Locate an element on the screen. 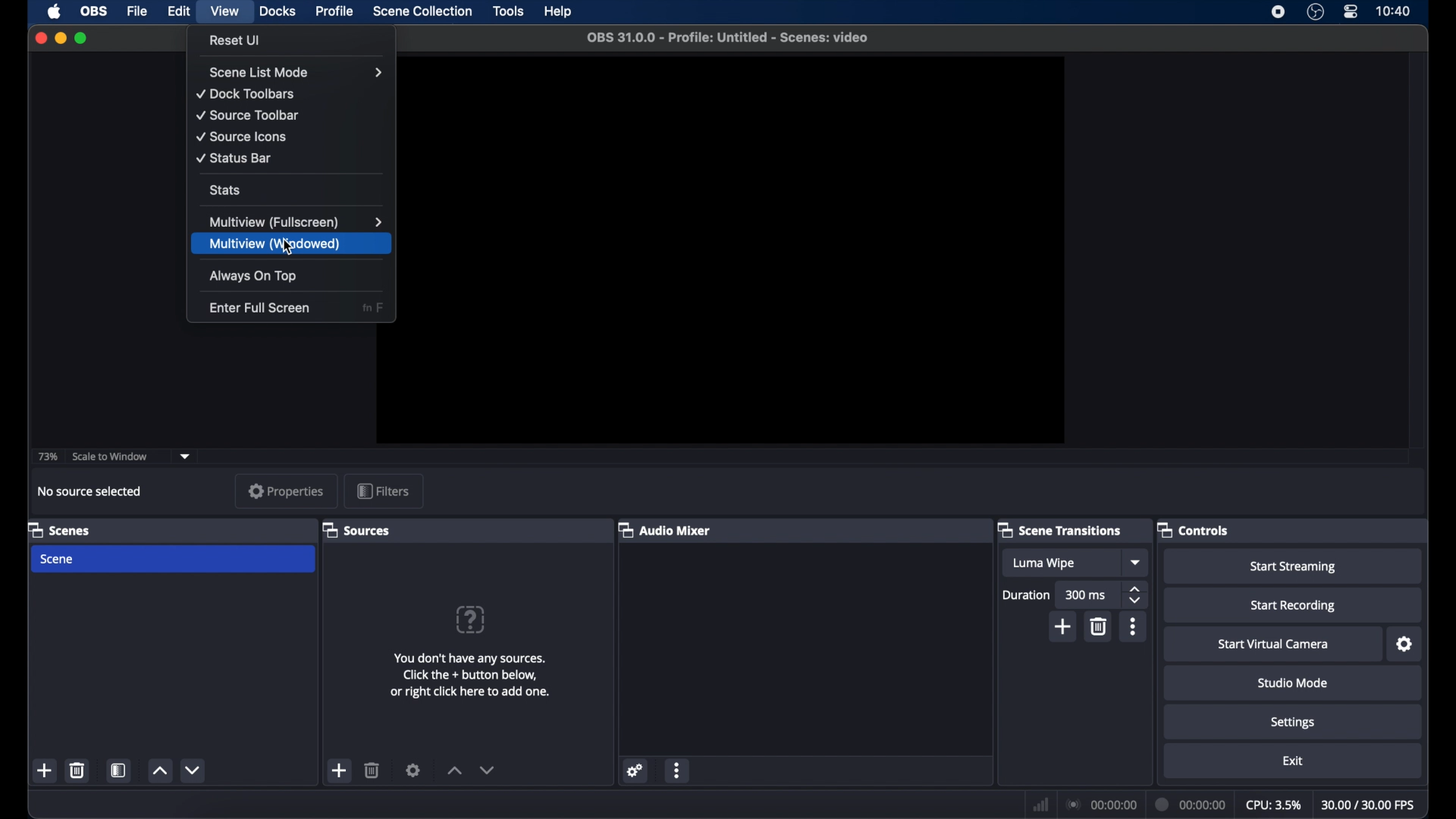 The height and width of the screenshot is (819, 1456). reset UI is located at coordinates (236, 40).